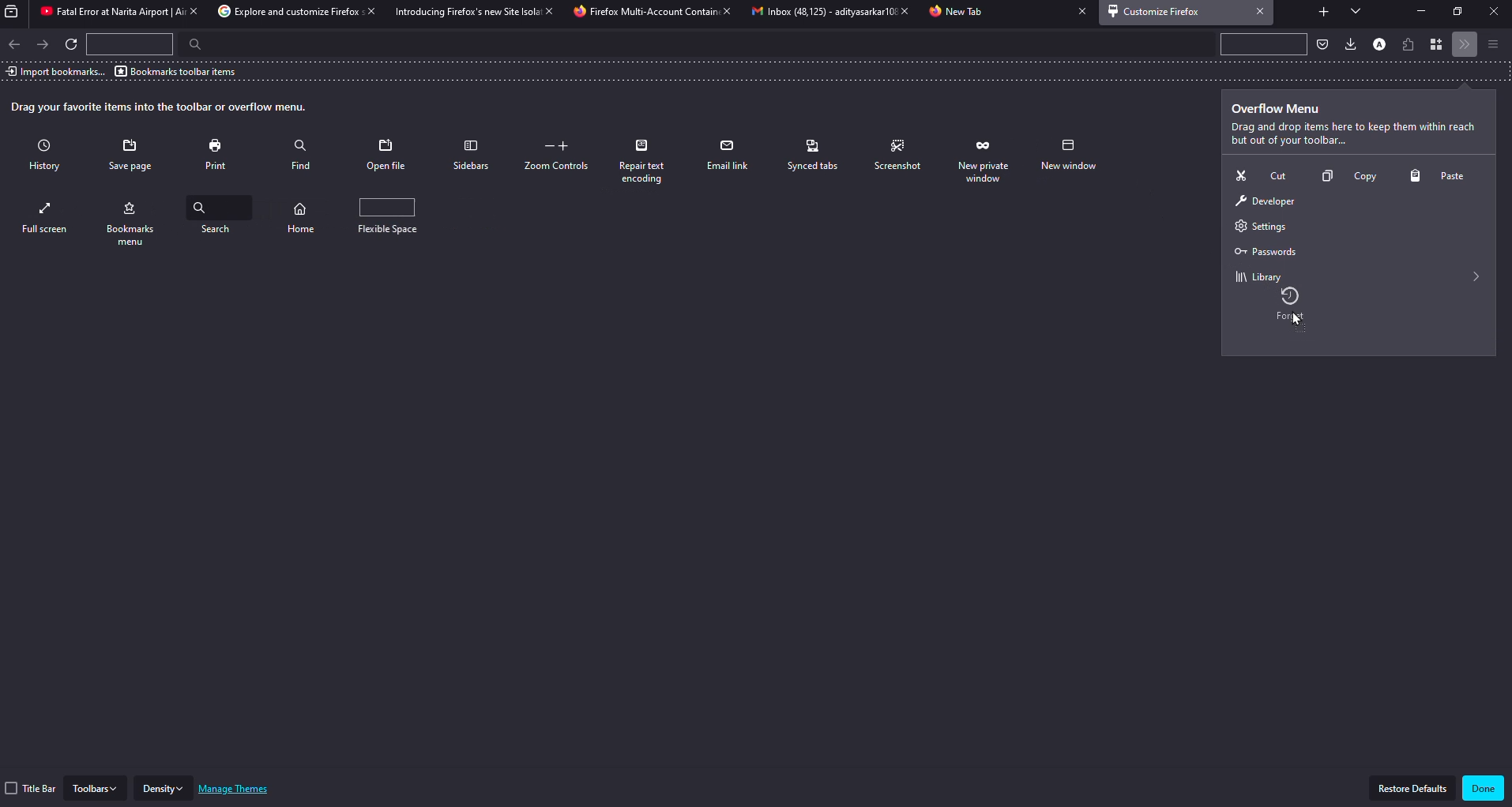  What do you see at coordinates (178, 71) in the screenshot?
I see `bookmarks toolbar items` at bounding box center [178, 71].